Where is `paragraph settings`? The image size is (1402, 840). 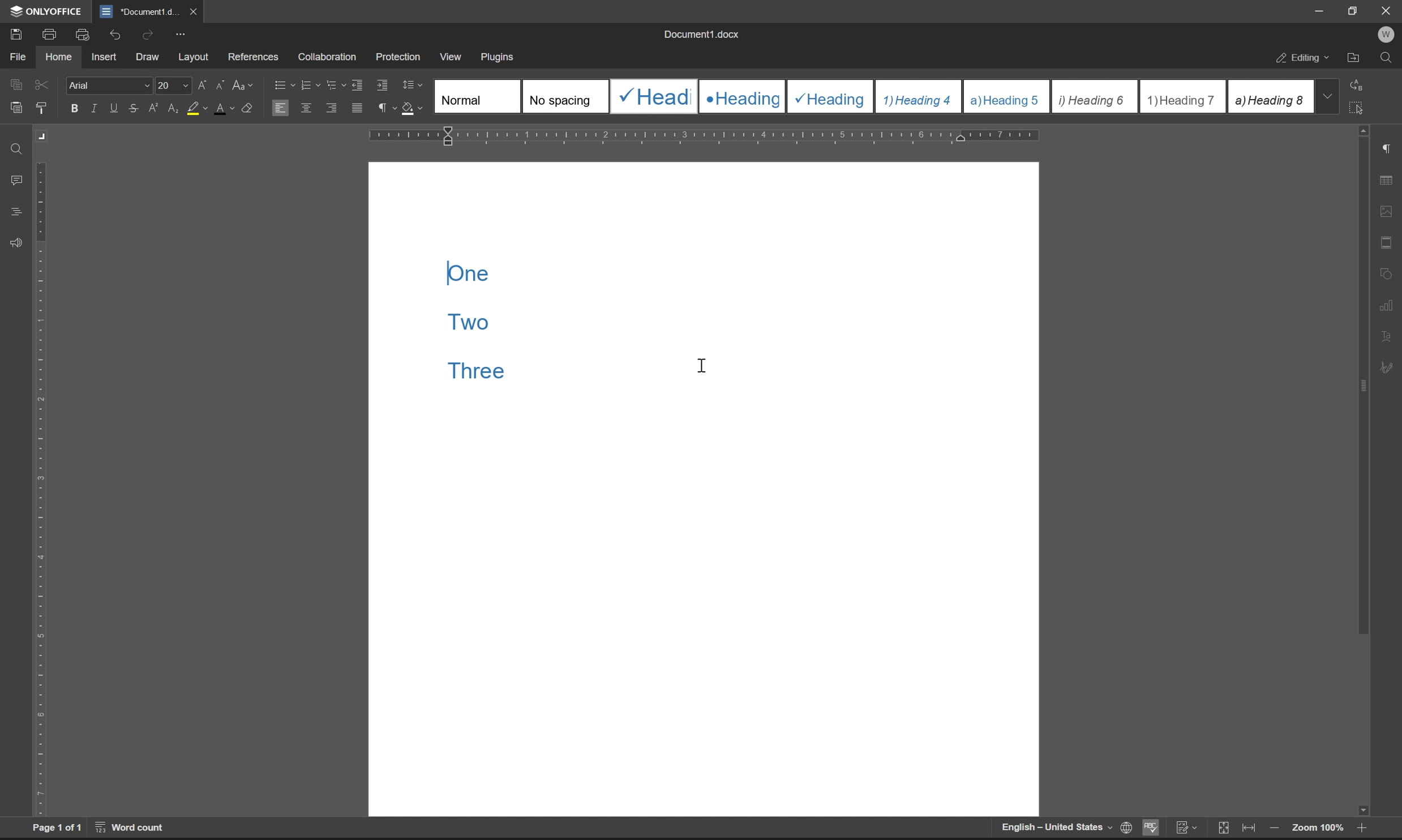
paragraph settings is located at coordinates (1386, 149).